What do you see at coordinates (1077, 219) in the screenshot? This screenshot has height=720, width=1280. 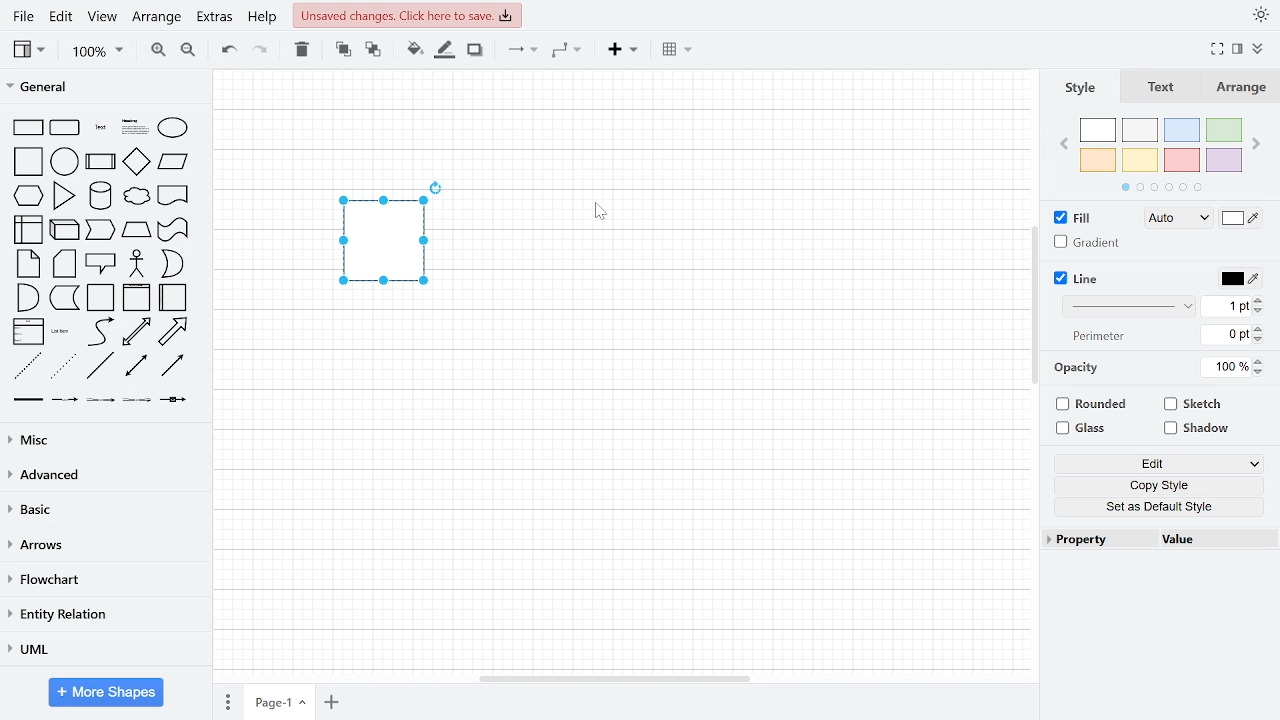 I see `fill` at bounding box center [1077, 219].